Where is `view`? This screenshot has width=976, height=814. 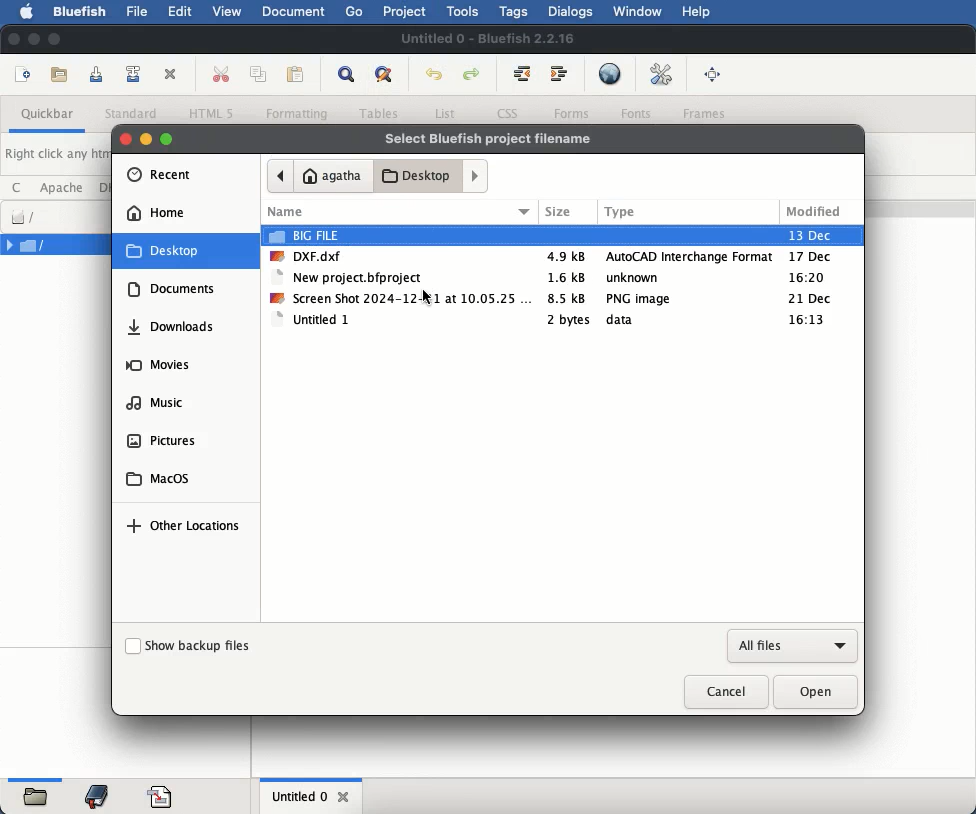 view is located at coordinates (226, 14).